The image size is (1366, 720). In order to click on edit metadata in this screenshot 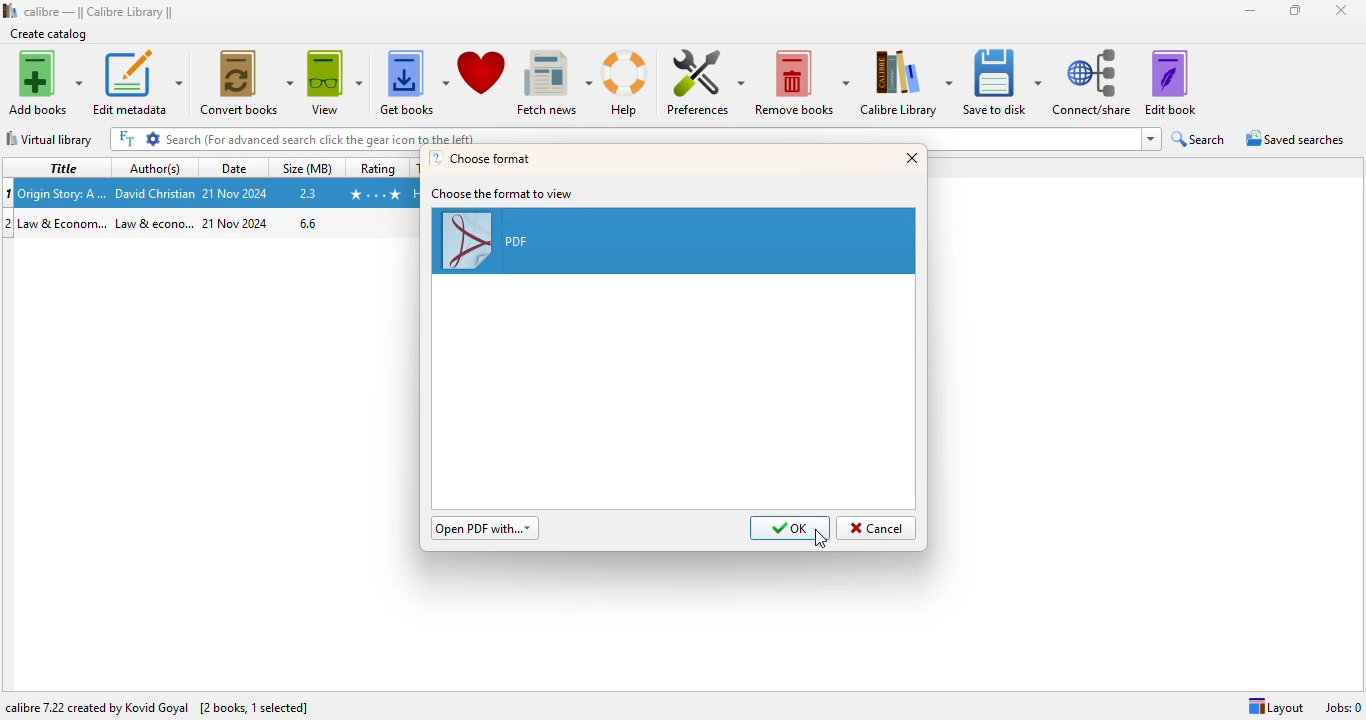, I will do `click(138, 82)`.